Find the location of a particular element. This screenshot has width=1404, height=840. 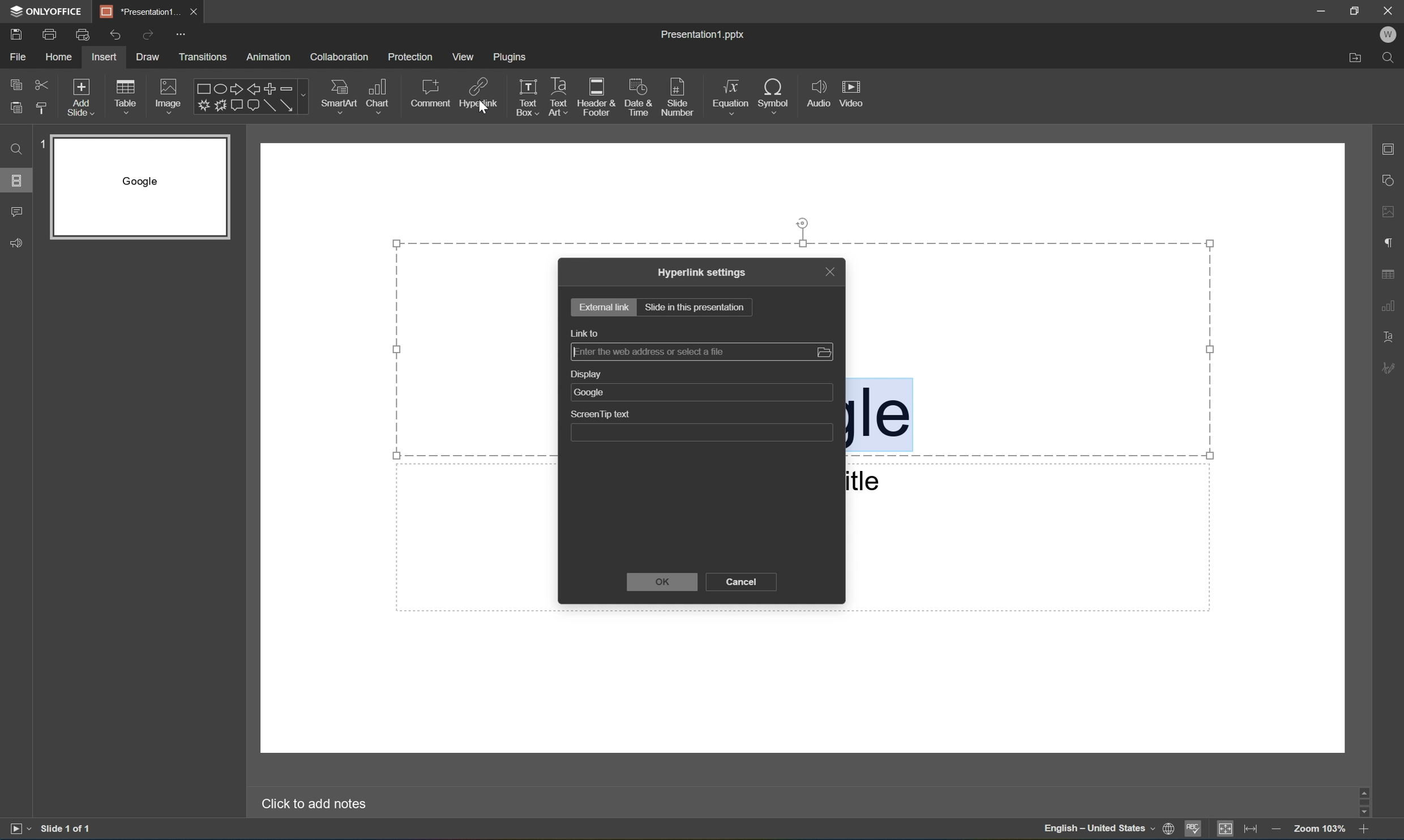

Save is located at coordinates (15, 35).